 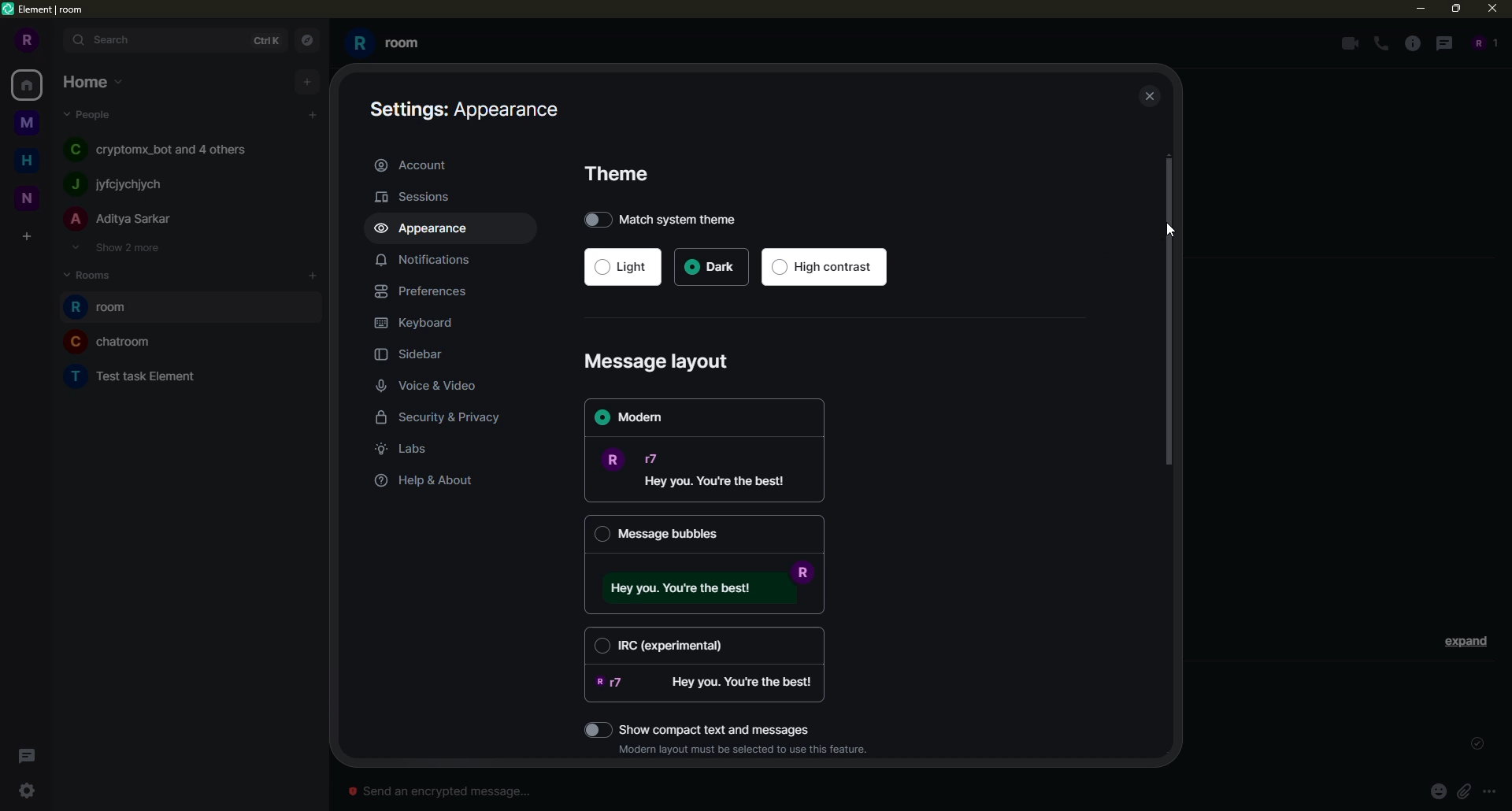 I want to click on rooms, so click(x=94, y=273).